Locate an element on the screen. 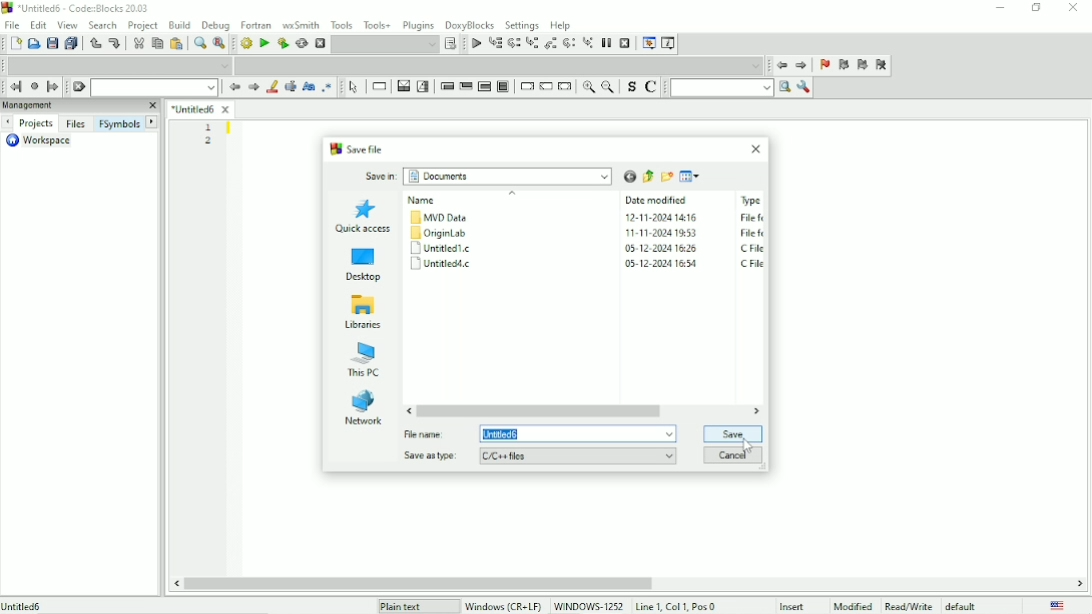  Libraries is located at coordinates (365, 313).